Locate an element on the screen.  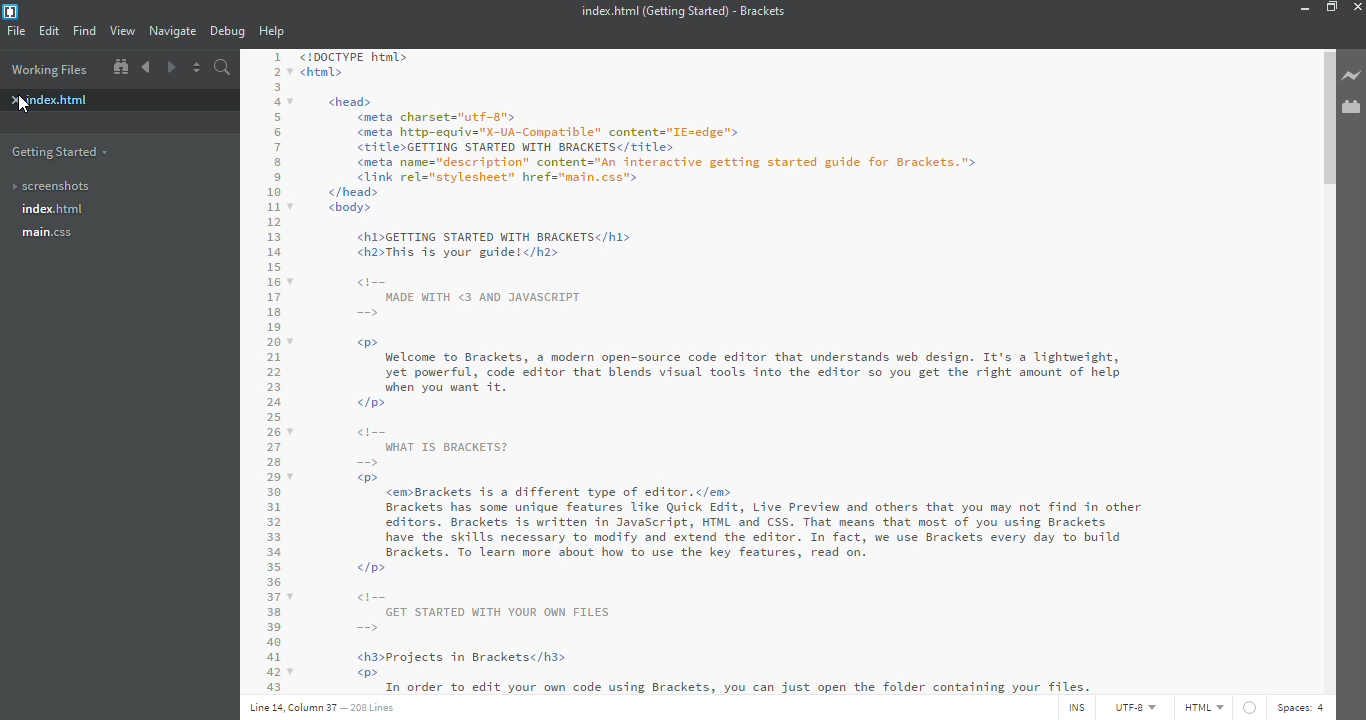
help is located at coordinates (270, 32).